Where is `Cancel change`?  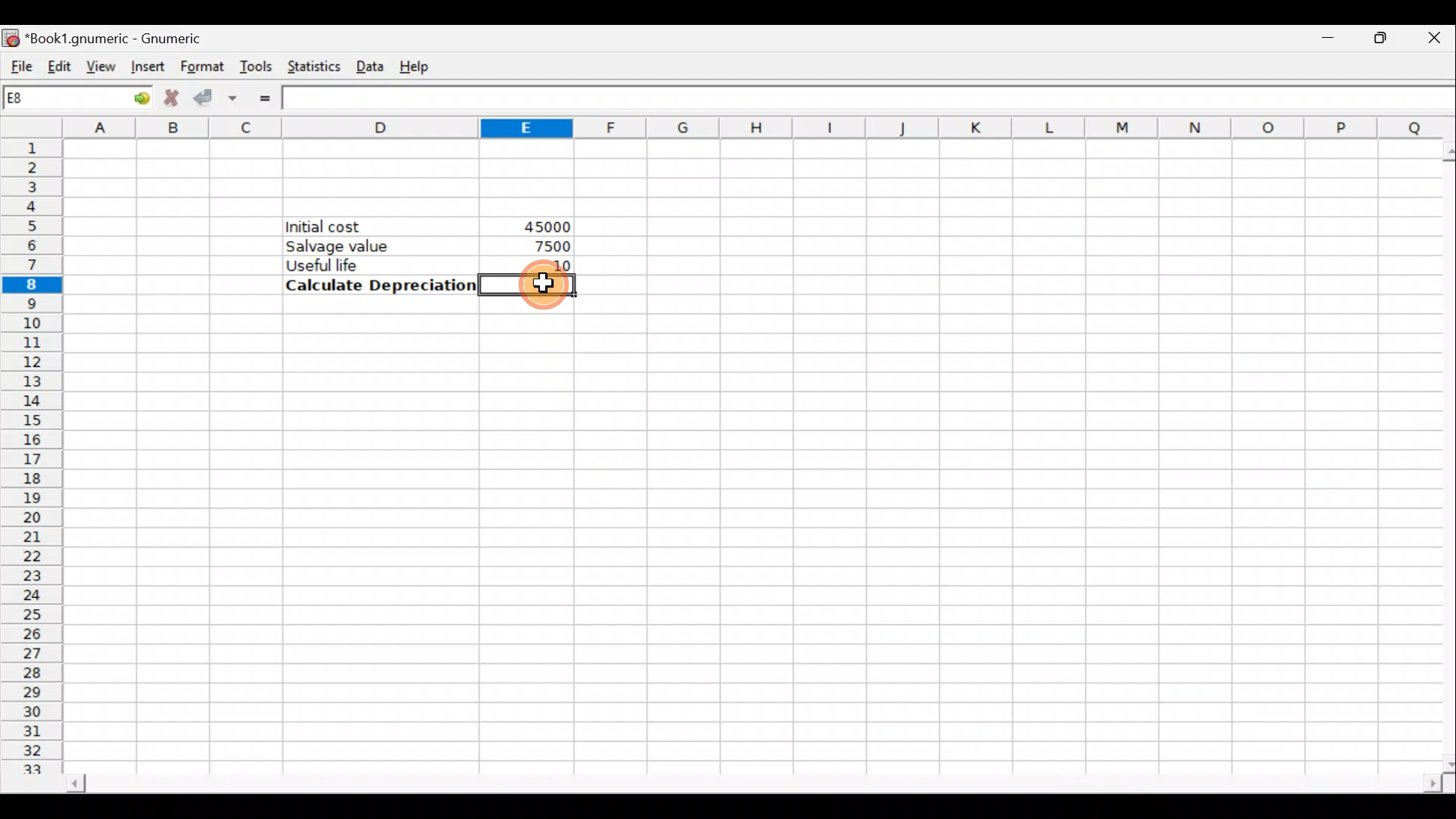 Cancel change is located at coordinates (172, 98).